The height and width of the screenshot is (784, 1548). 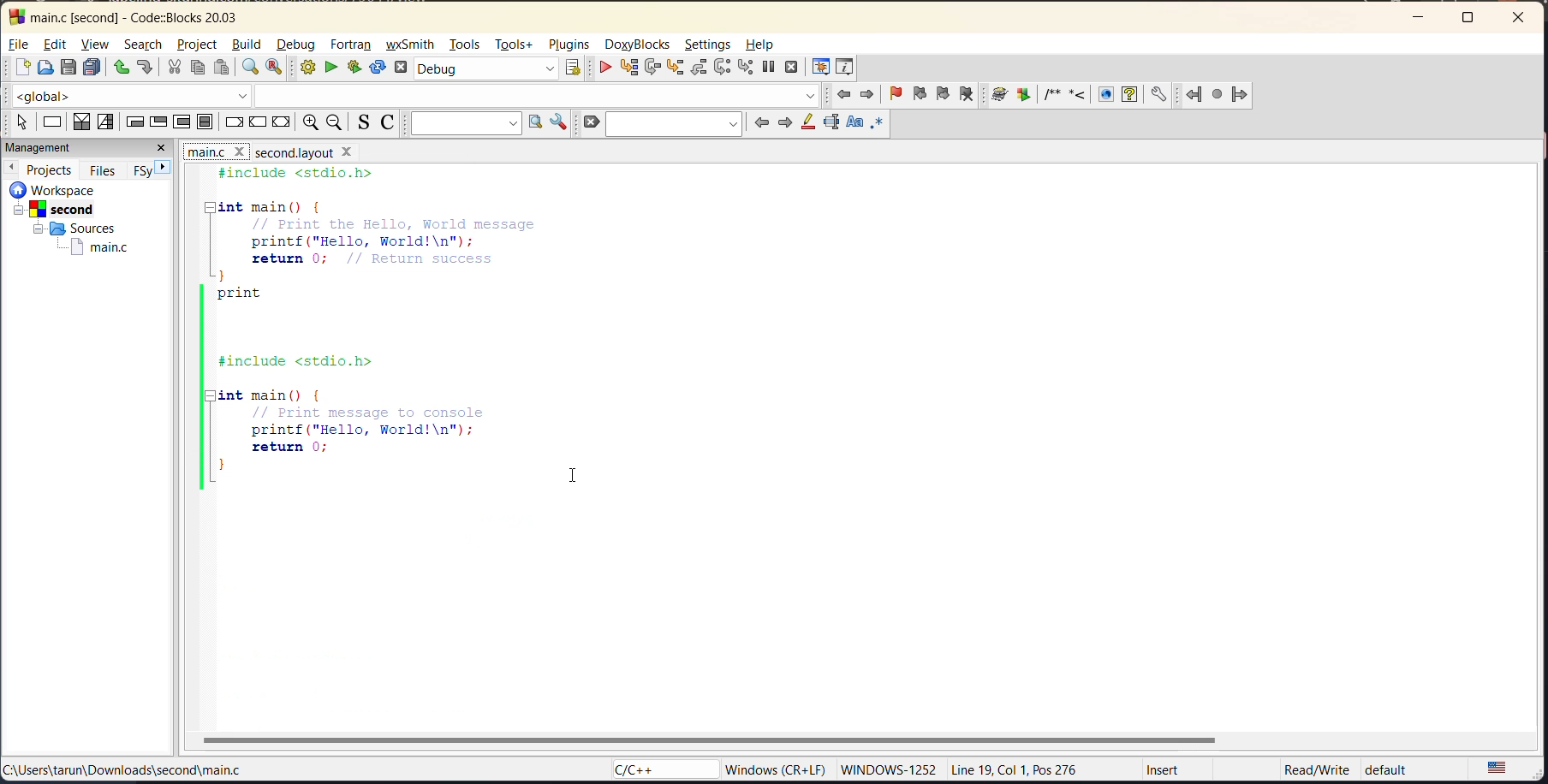 I want to click on wxsmith, so click(x=409, y=45).